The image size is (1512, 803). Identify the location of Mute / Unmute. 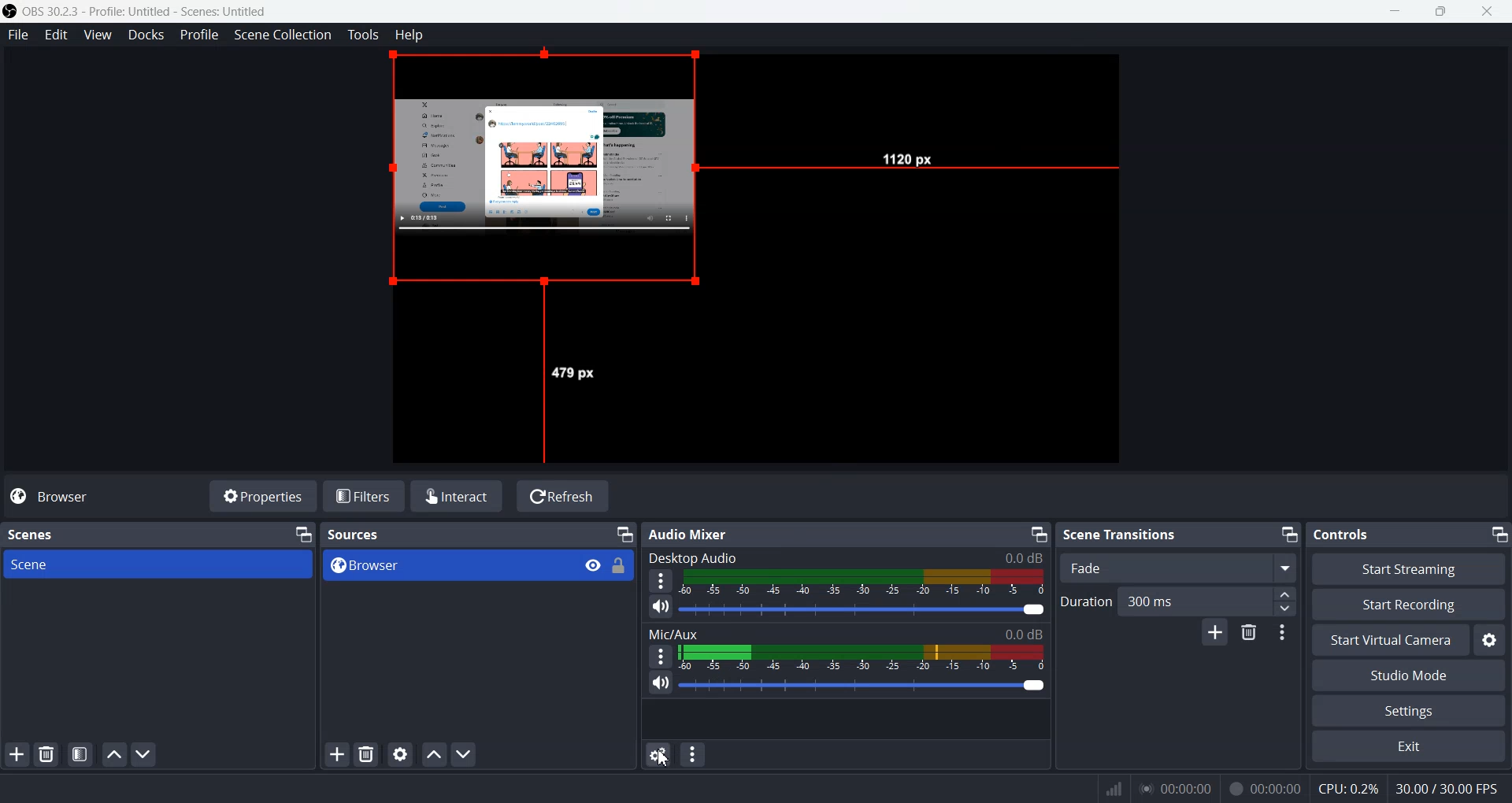
(661, 606).